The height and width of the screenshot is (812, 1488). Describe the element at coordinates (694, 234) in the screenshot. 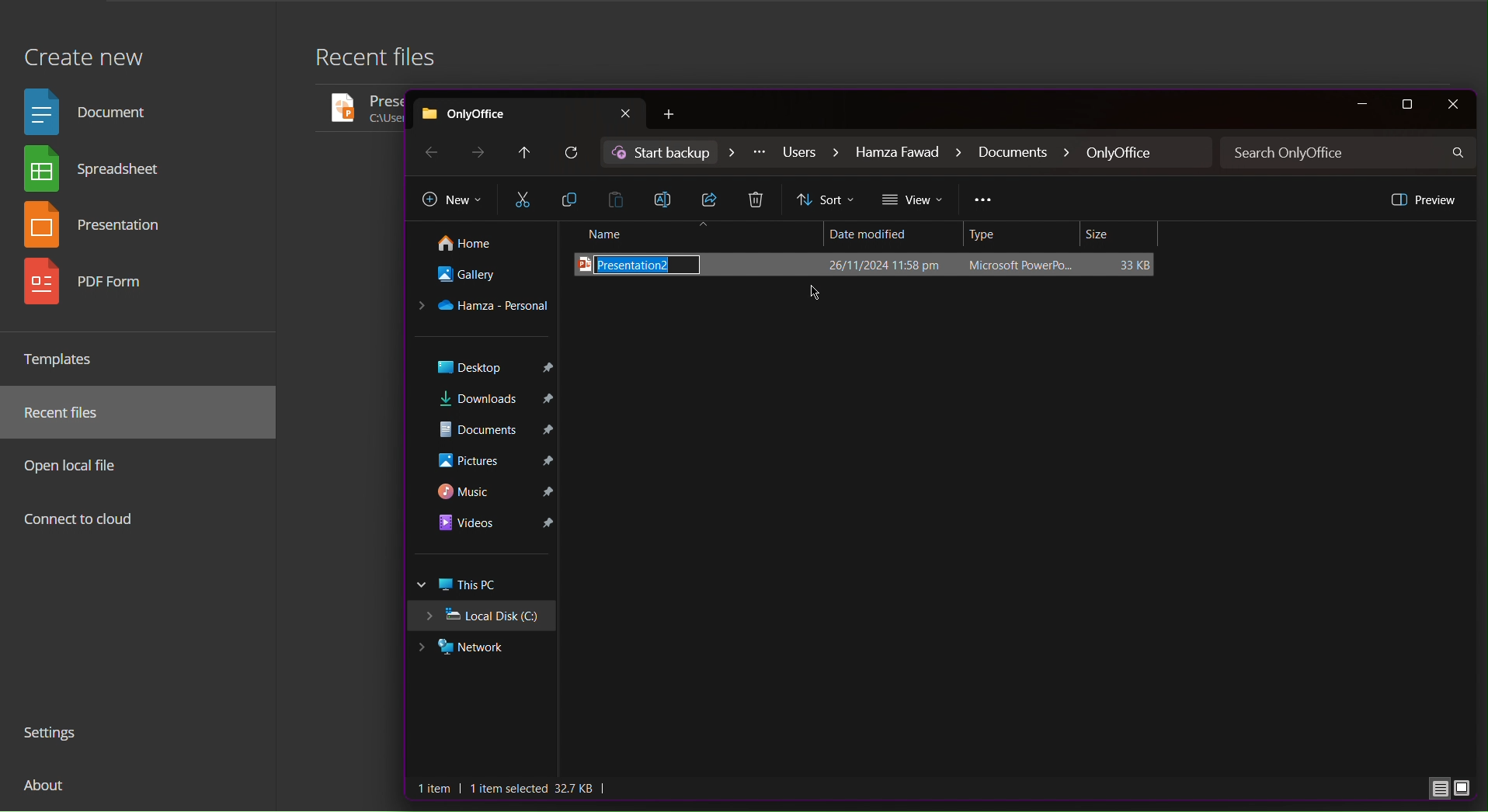

I see `Name` at that location.